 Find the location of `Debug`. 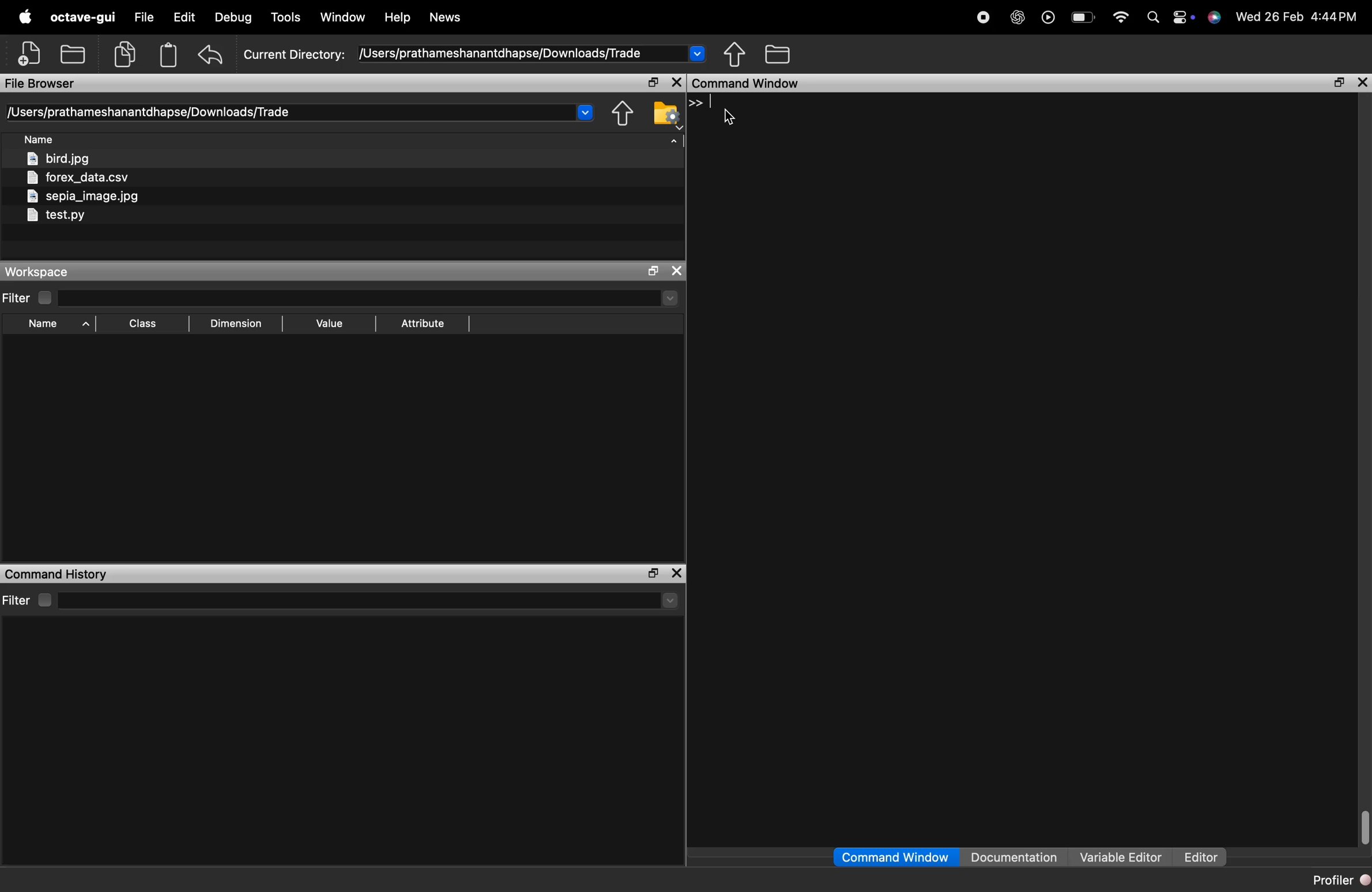

Debug is located at coordinates (233, 18).